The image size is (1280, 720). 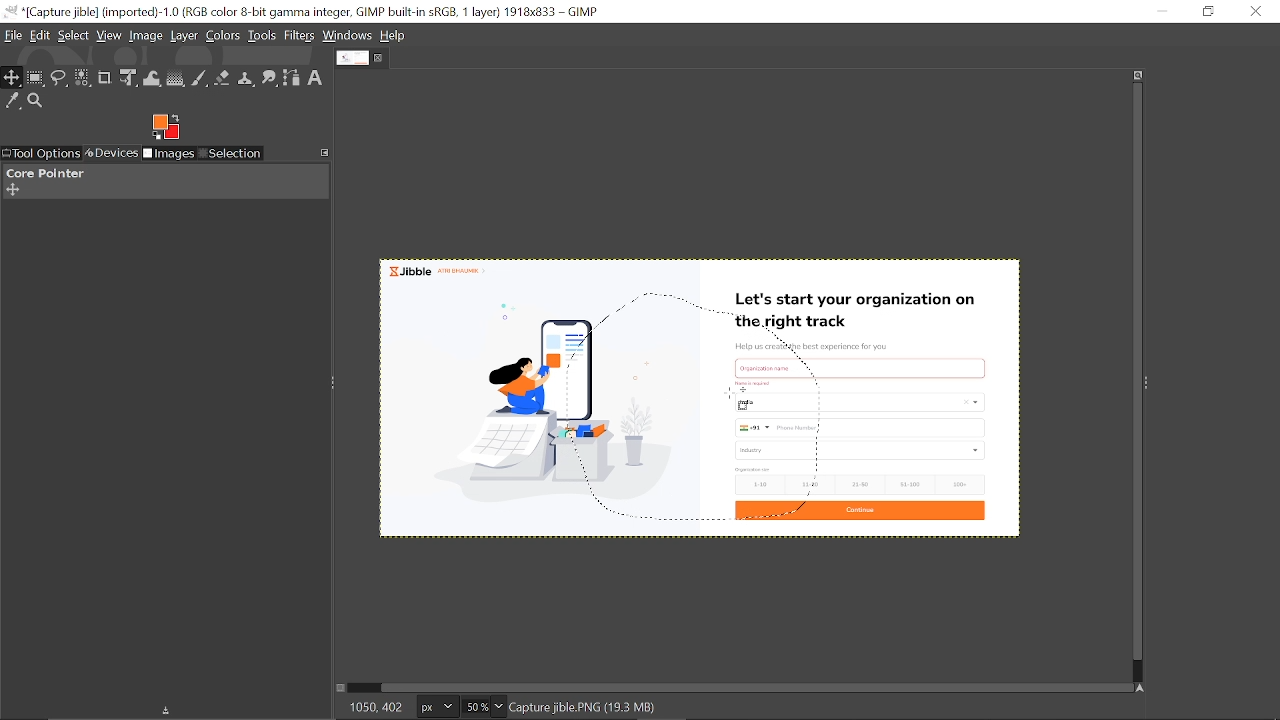 I want to click on Smudge tool, so click(x=271, y=79).